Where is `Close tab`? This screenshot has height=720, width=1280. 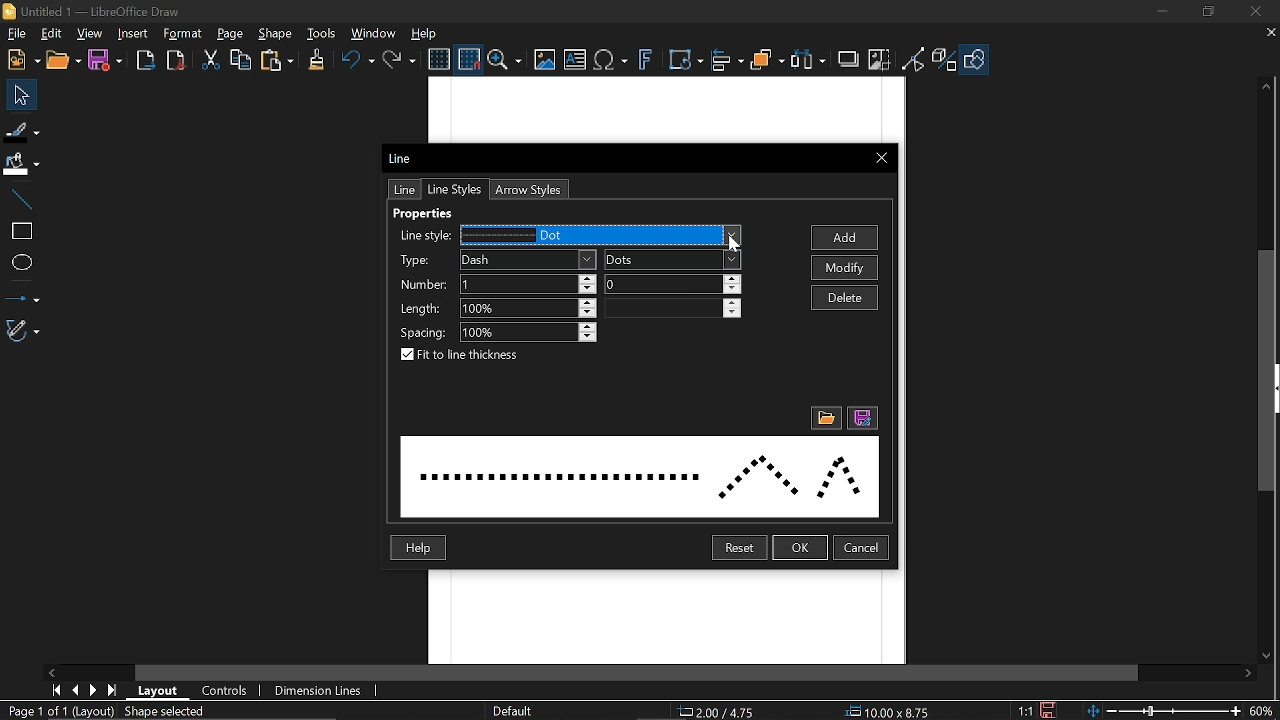 Close tab is located at coordinates (1270, 32).